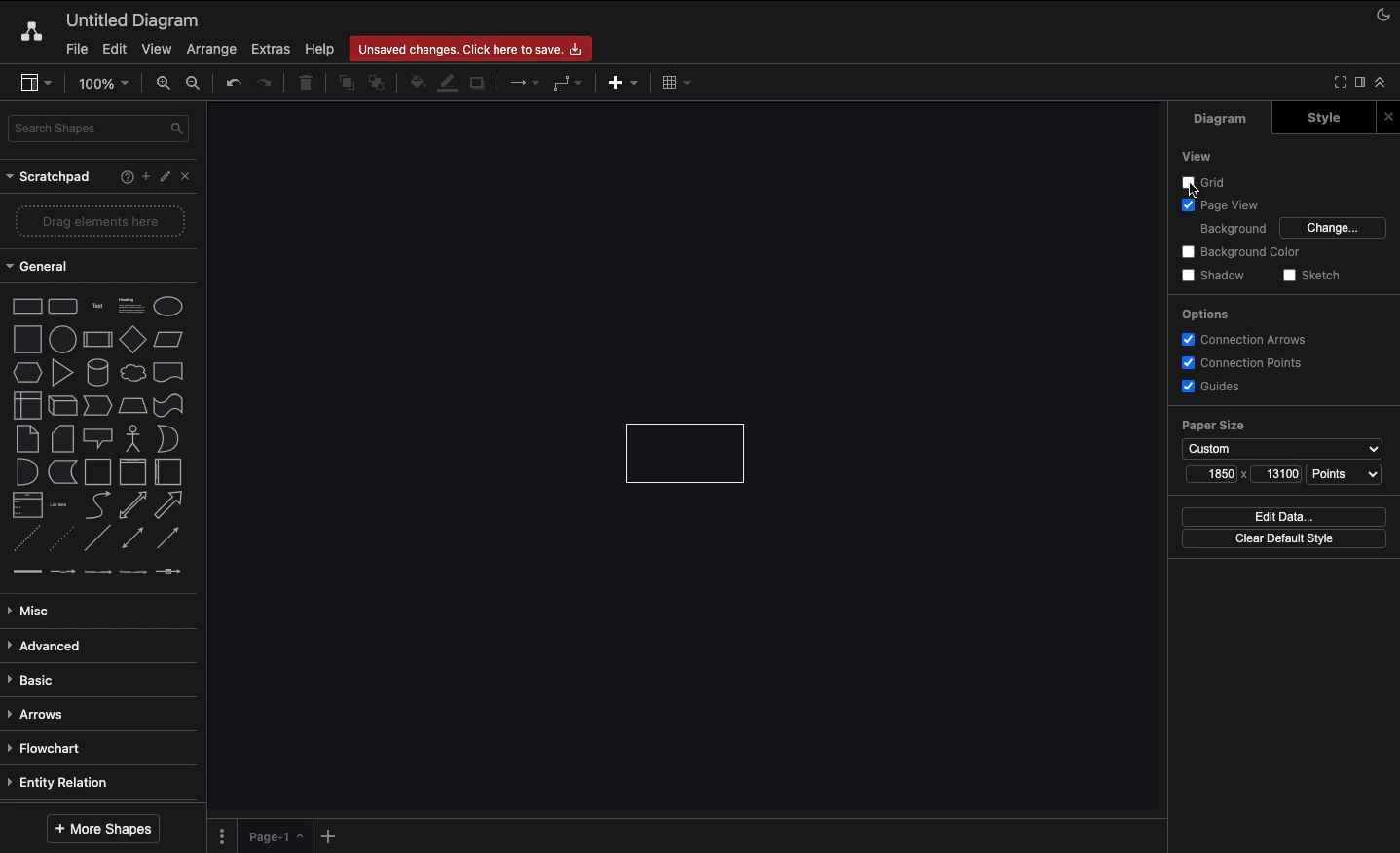  I want to click on Draw.io, so click(28, 35).